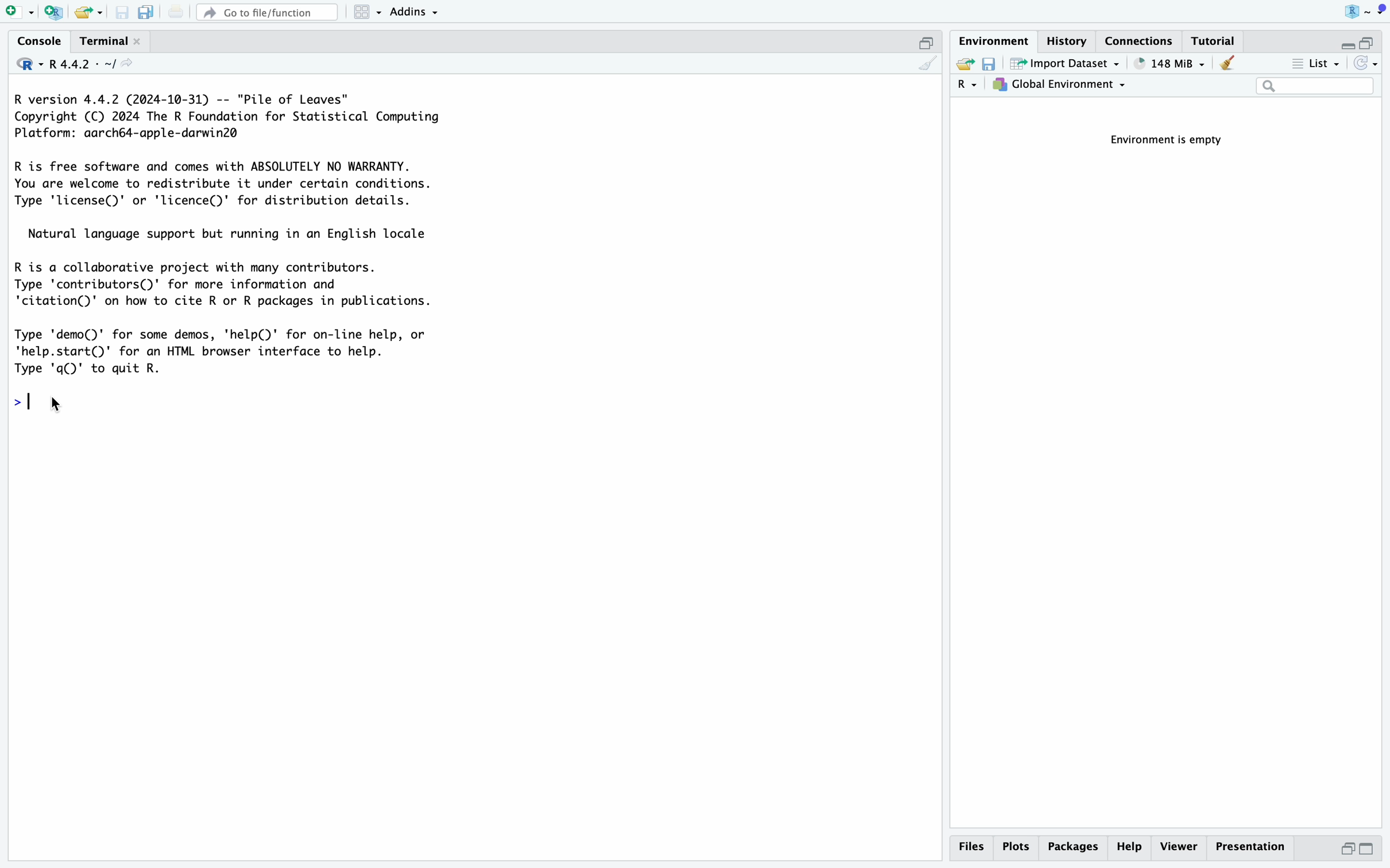  Describe the element at coordinates (225, 184) in the screenshot. I see `description of R and license` at that location.